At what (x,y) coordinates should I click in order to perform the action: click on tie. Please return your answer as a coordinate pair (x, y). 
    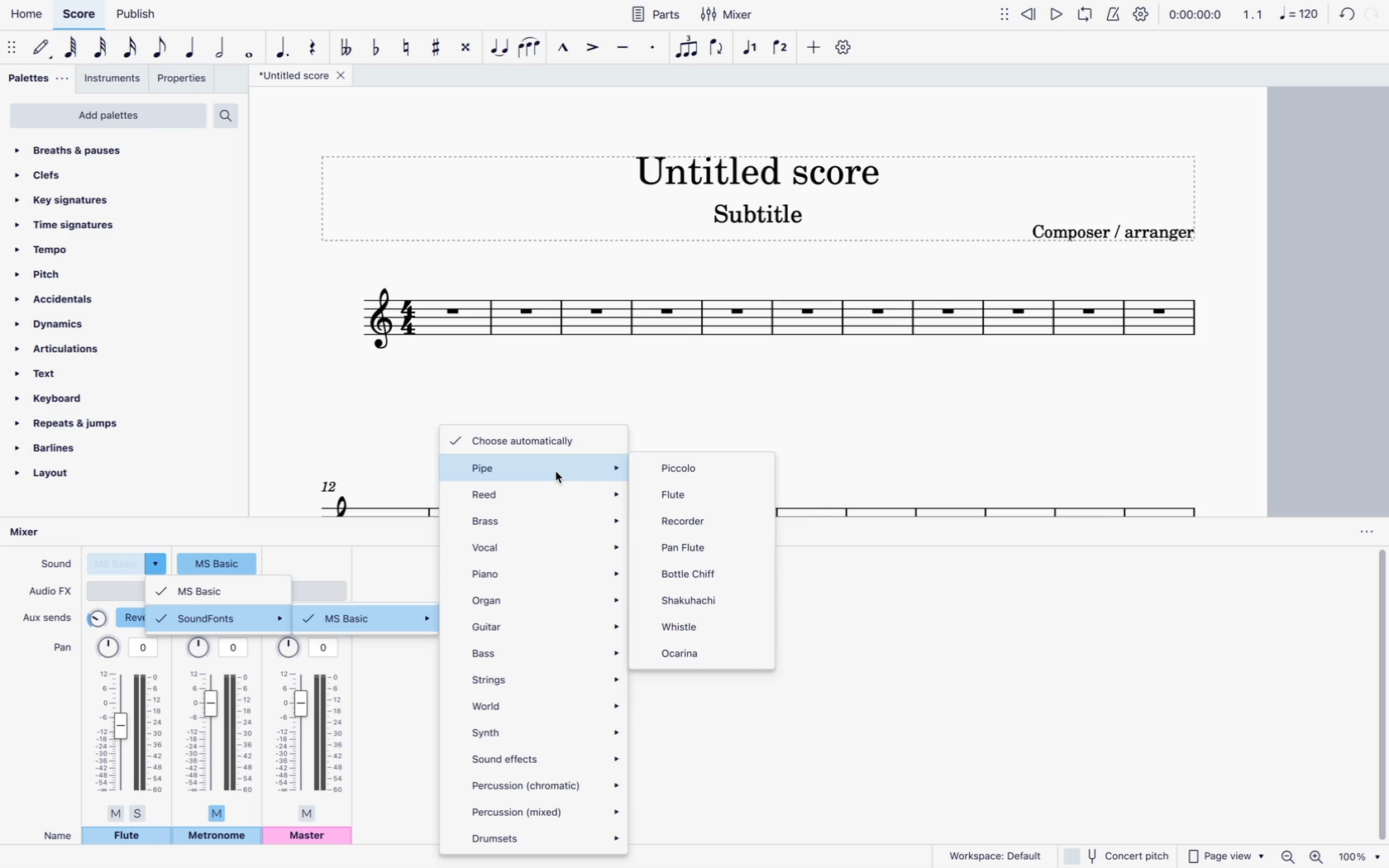
    Looking at the image, I should click on (501, 46).